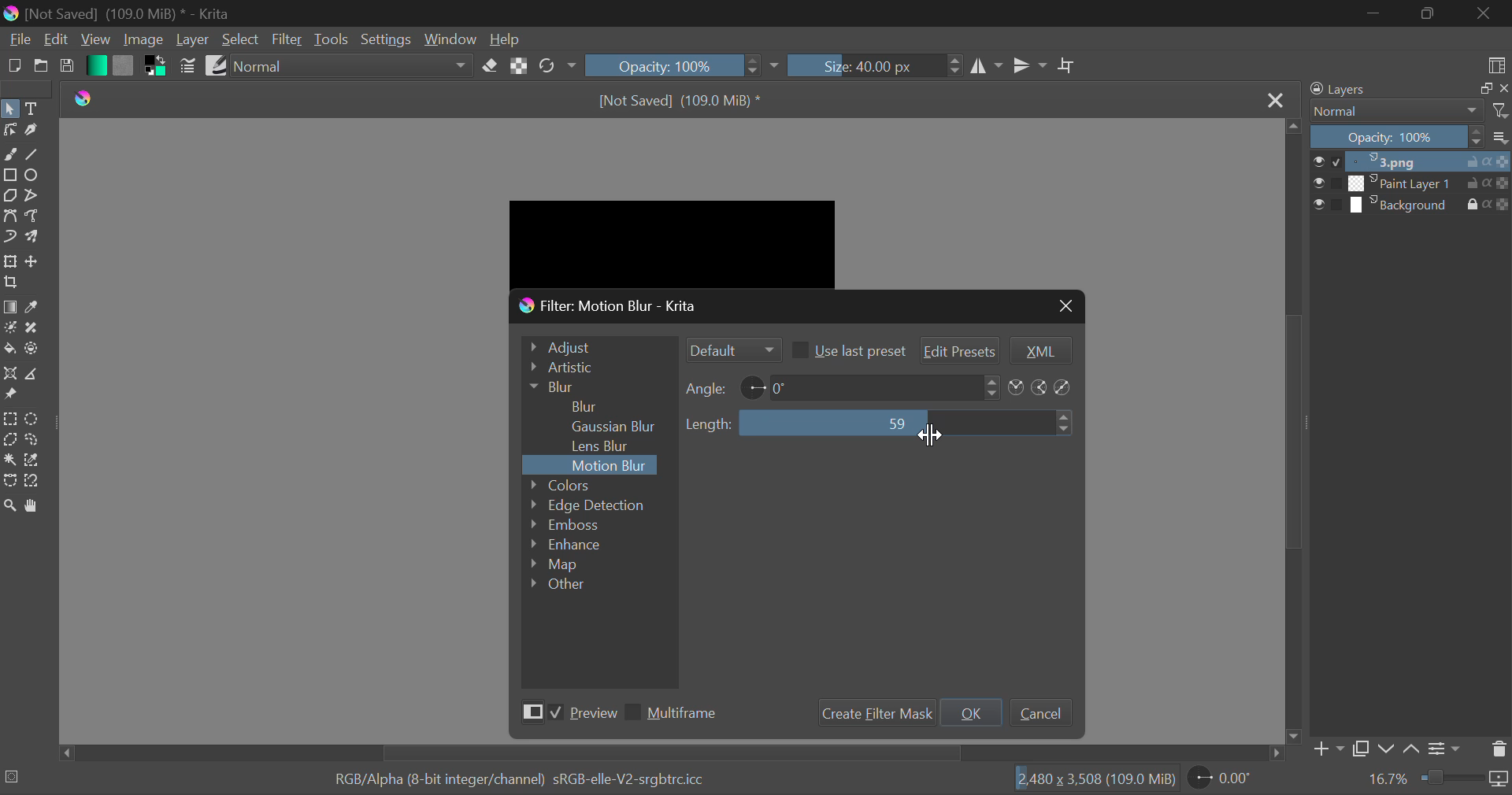  Describe the element at coordinates (10, 108) in the screenshot. I see `Select` at that location.